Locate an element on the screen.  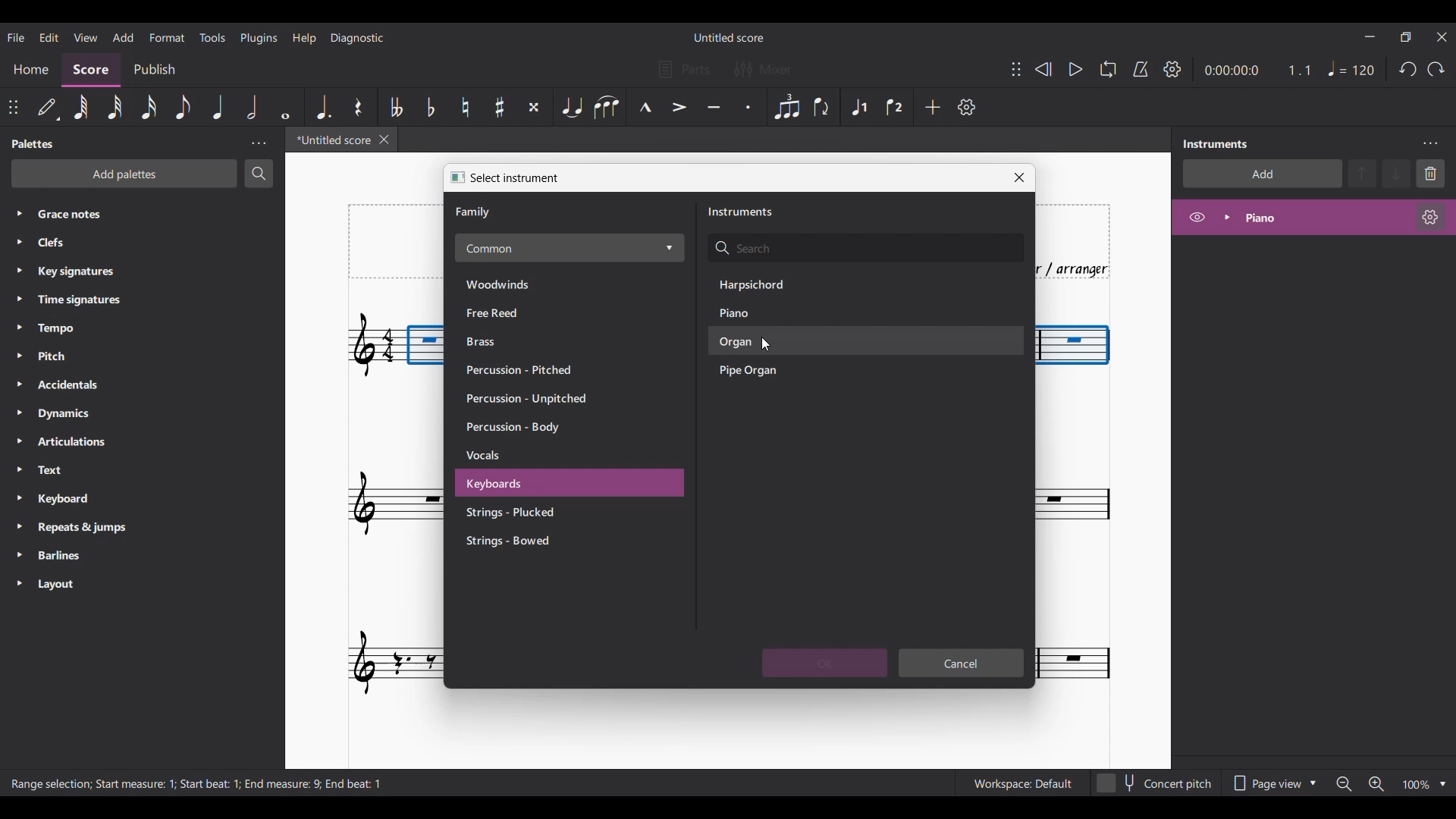
Accidentals is located at coordinates (90, 386).